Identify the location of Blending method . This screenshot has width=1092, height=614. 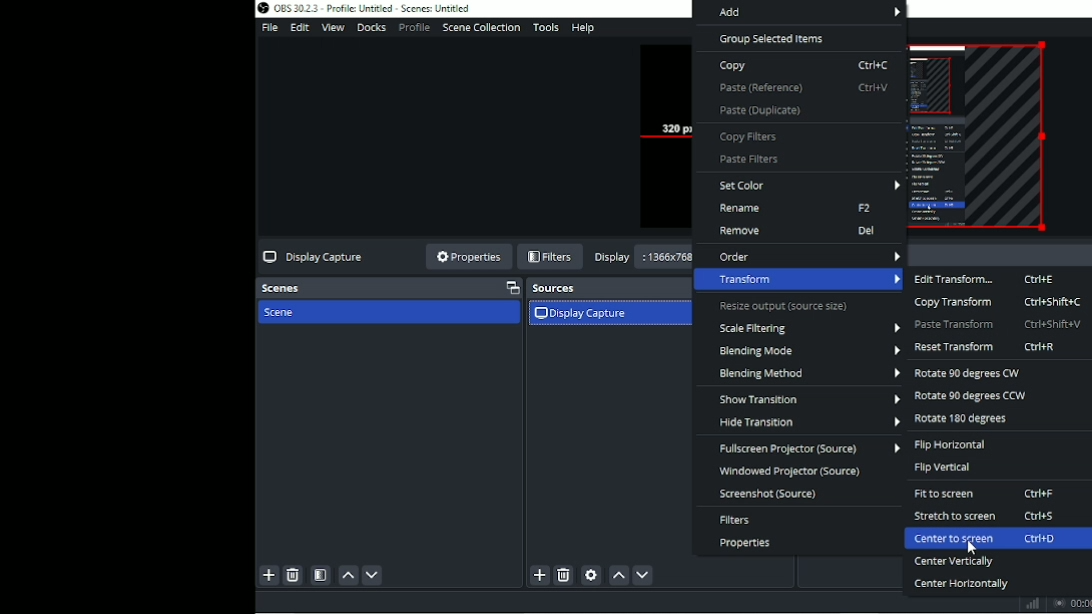
(806, 374).